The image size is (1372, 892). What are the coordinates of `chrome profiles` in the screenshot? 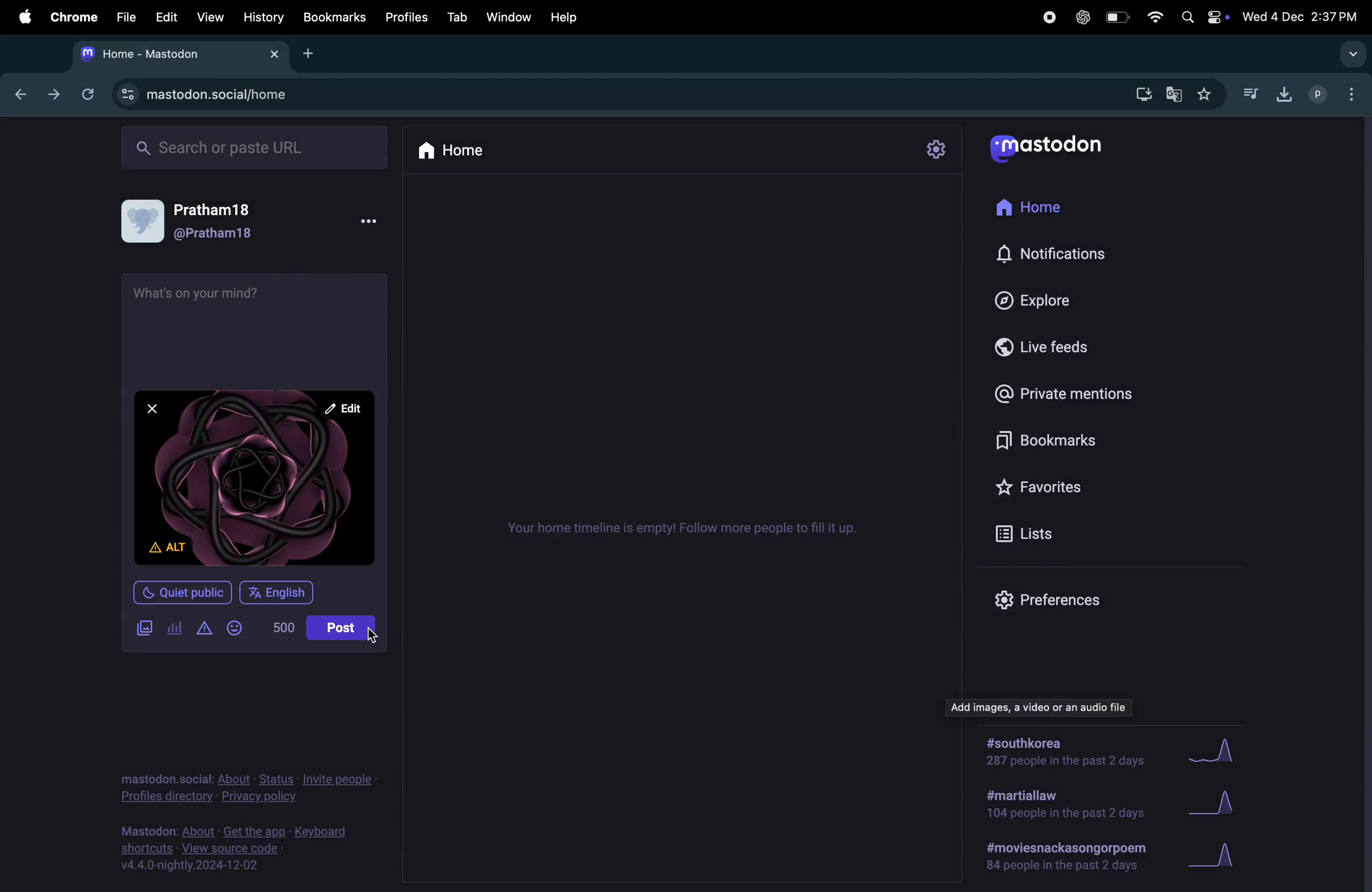 It's located at (1335, 92).